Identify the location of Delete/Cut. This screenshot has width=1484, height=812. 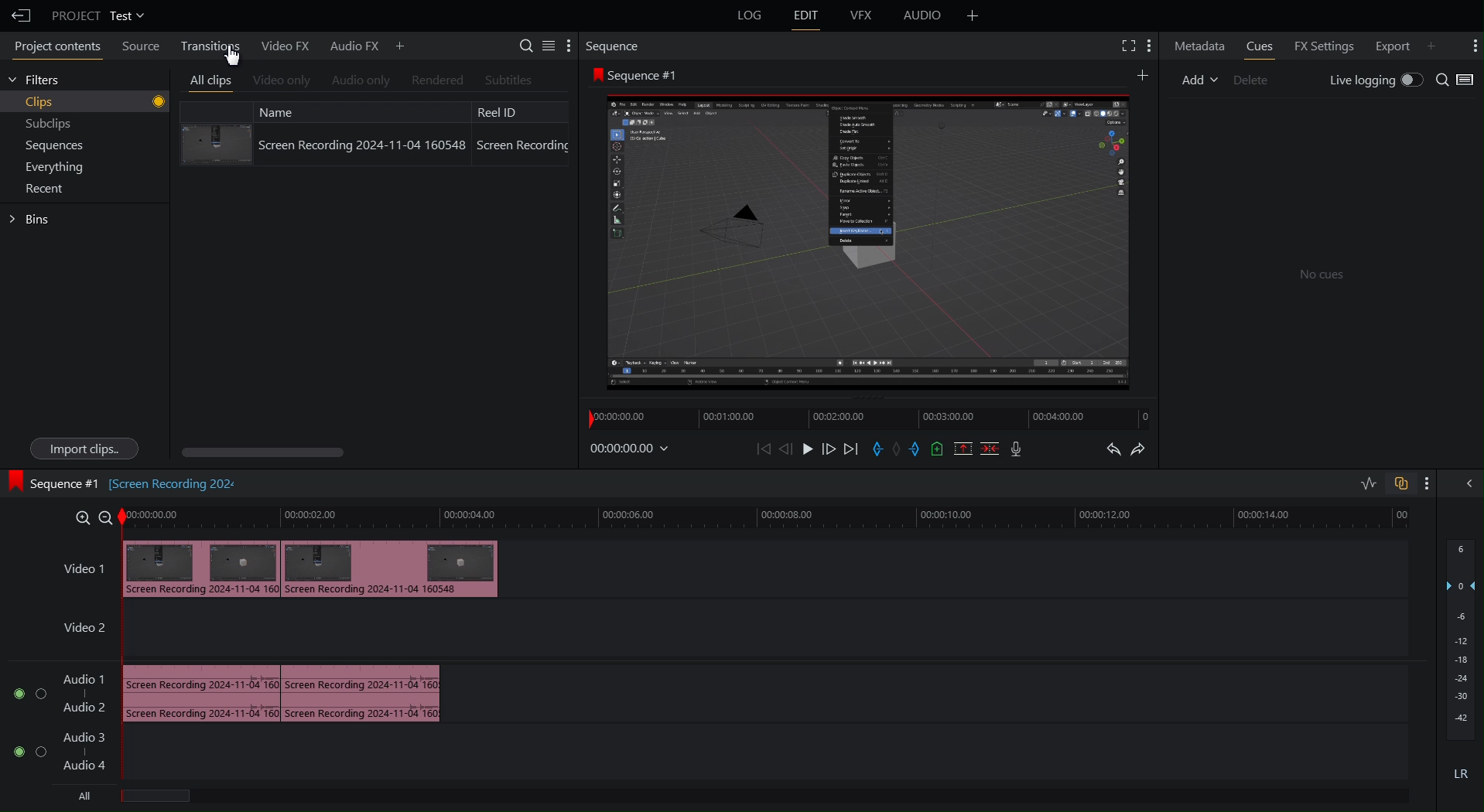
(990, 448).